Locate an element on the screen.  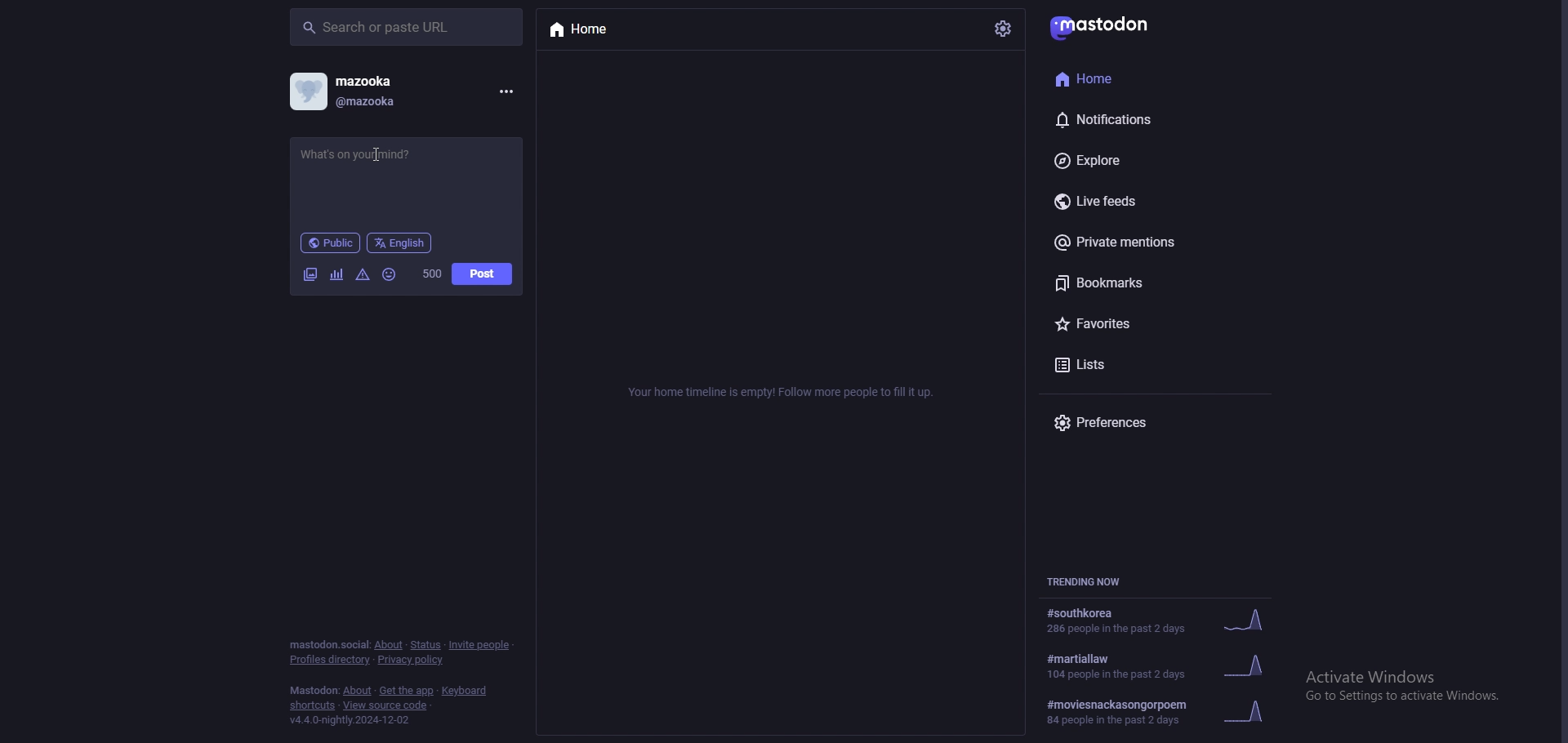
privacy policy is located at coordinates (409, 660).